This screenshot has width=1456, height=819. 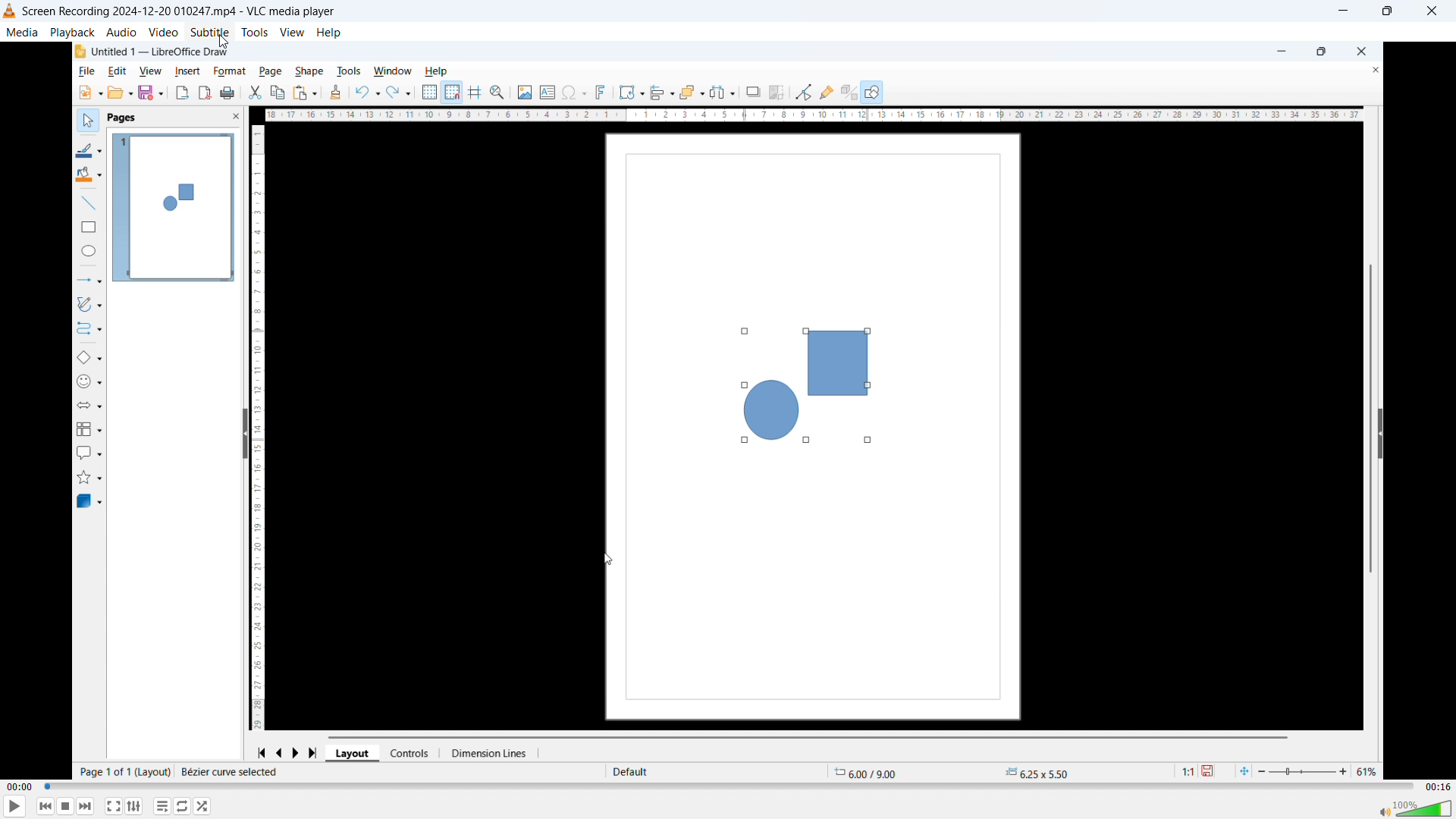 What do you see at coordinates (803, 91) in the screenshot?
I see `toggle point edit mode` at bounding box center [803, 91].